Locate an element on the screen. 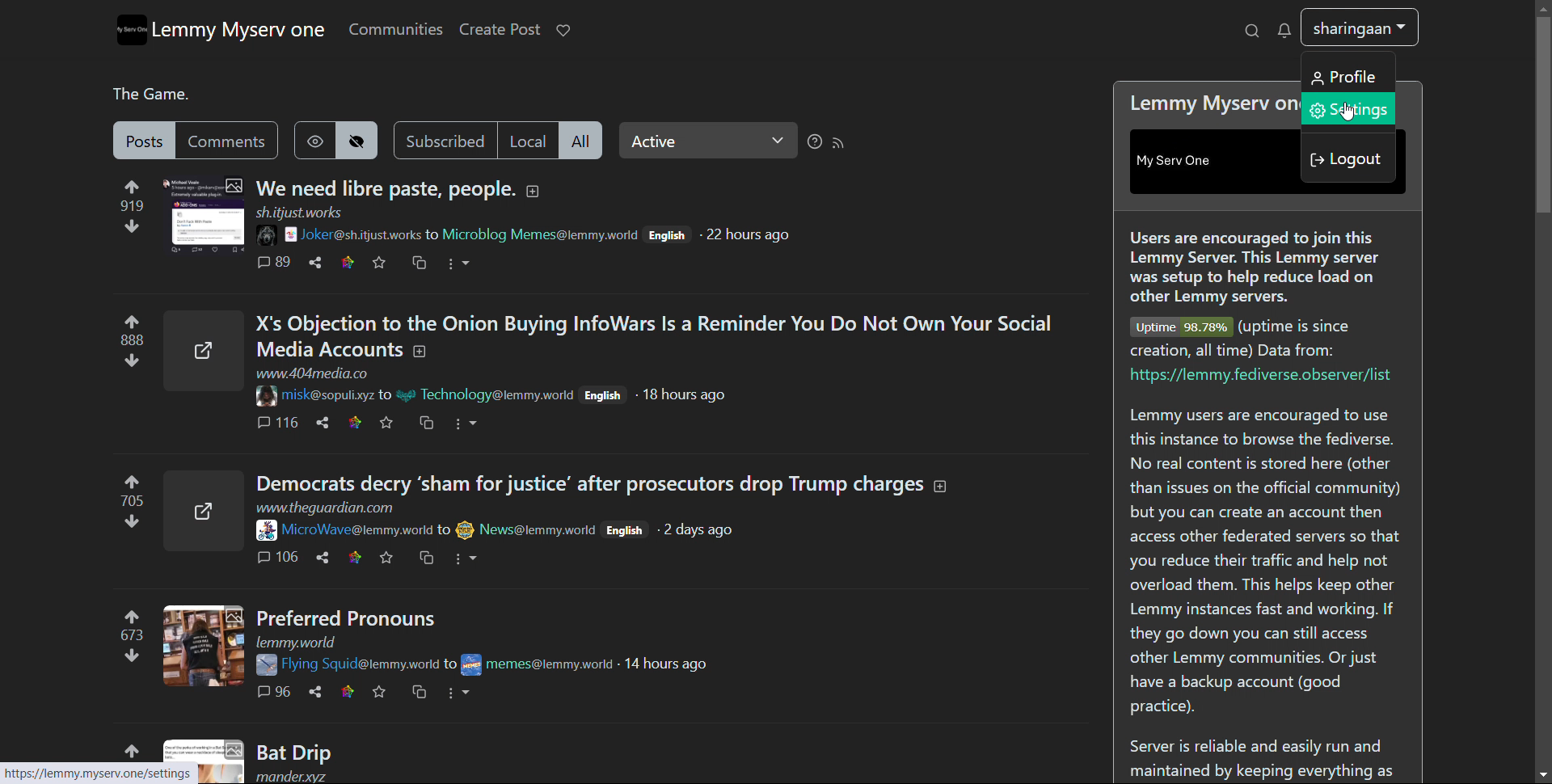 Image resolution: width=1552 pixels, height=784 pixels. favorites is located at coordinates (390, 556).